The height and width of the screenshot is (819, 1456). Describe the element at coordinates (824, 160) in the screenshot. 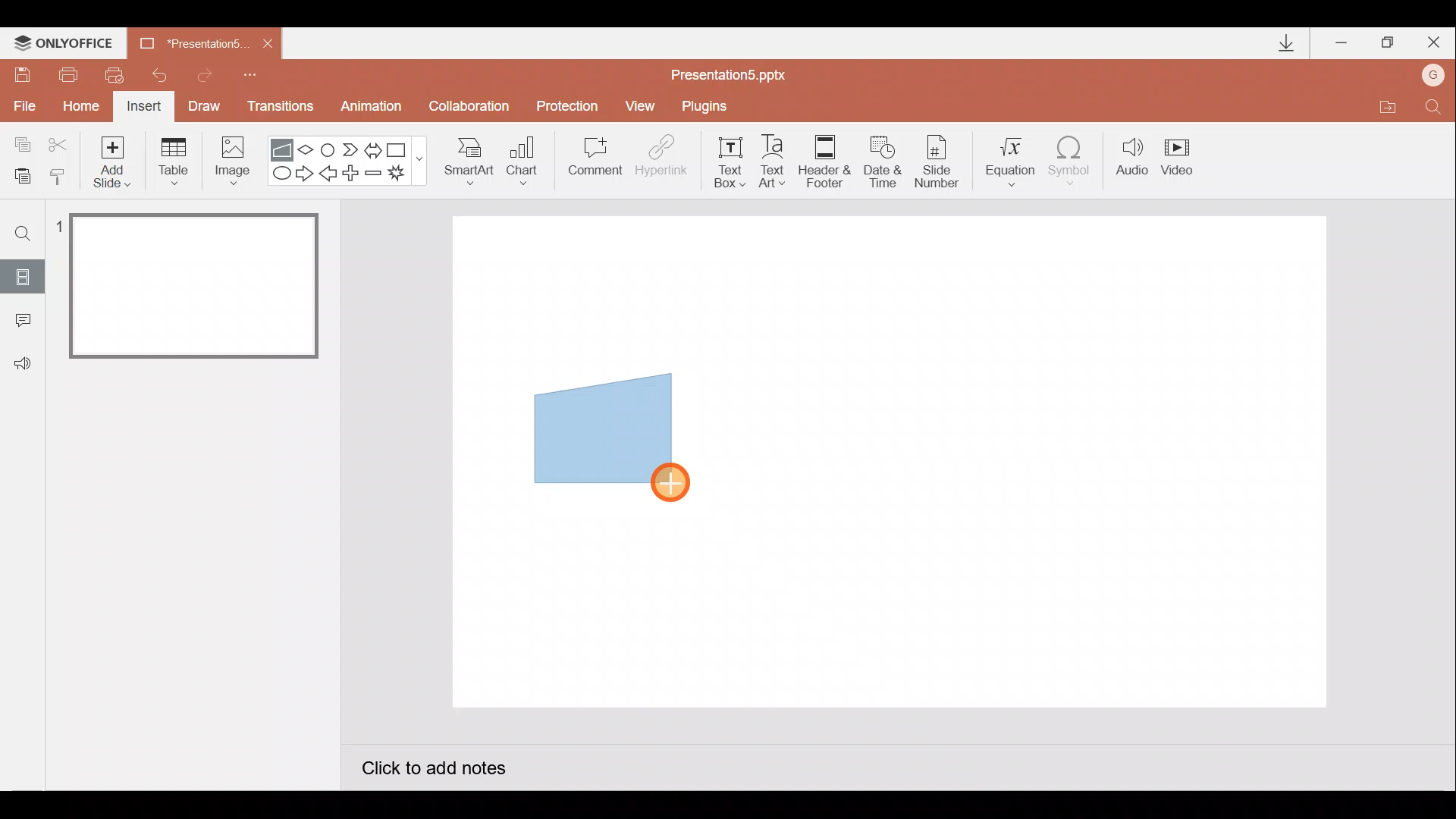

I see `Header & footer` at that location.